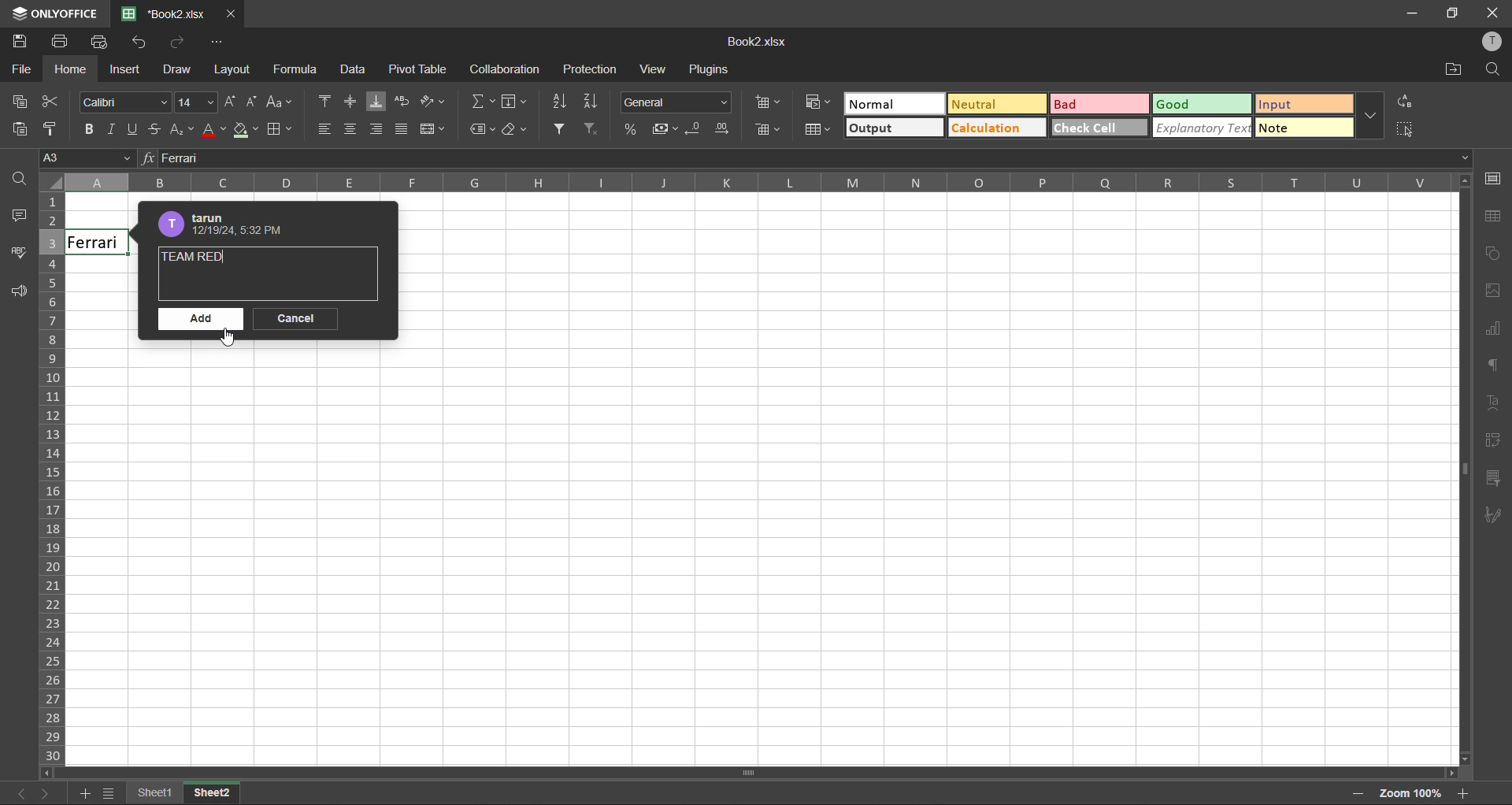 The height and width of the screenshot is (805, 1512). What do you see at coordinates (16, 293) in the screenshot?
I see `feedback` at bounding box center [16, 293].